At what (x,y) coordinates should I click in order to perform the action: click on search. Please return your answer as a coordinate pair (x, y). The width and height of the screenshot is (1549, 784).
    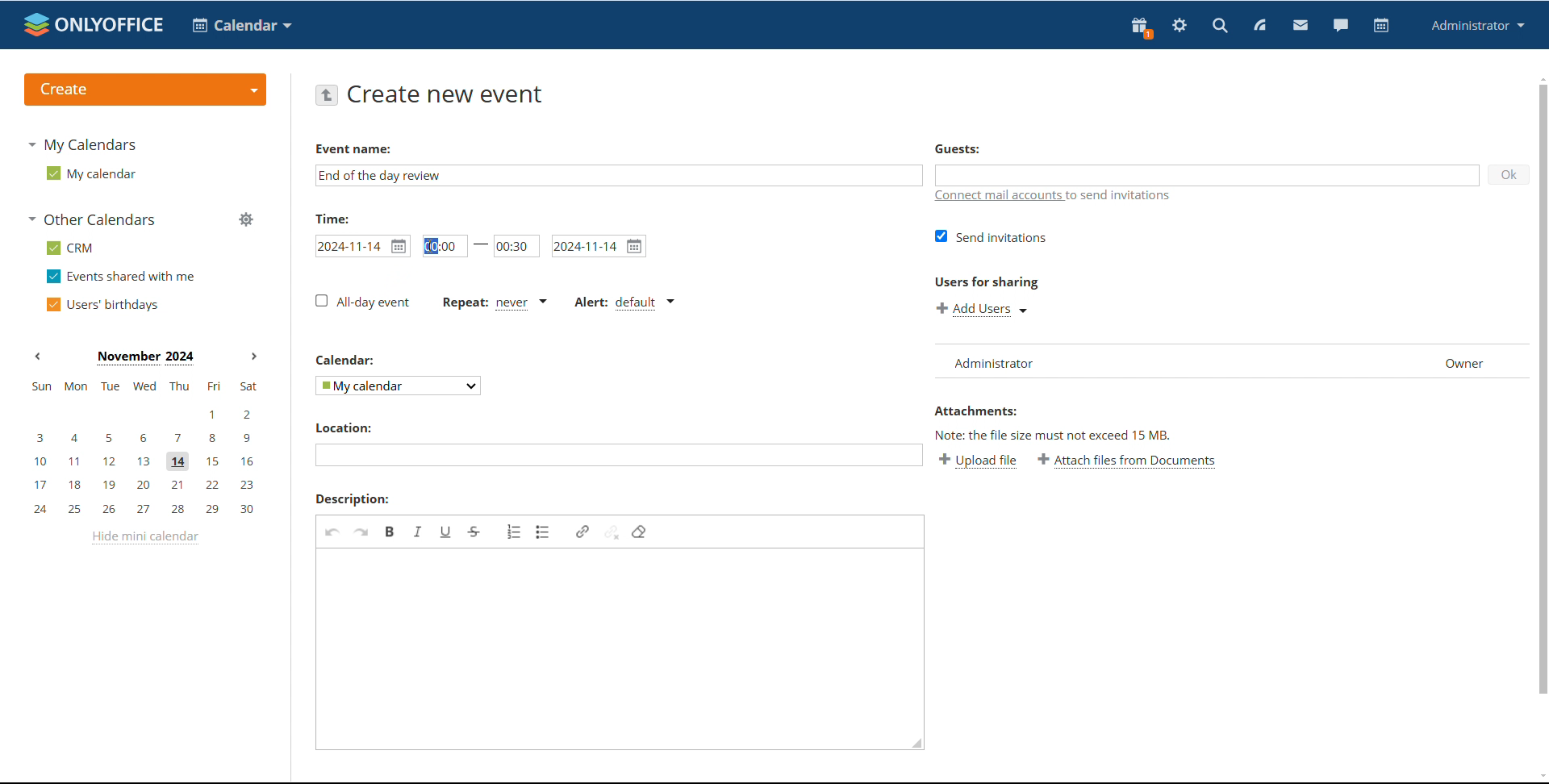
    Looking at the image, I should click on (1219, 27).